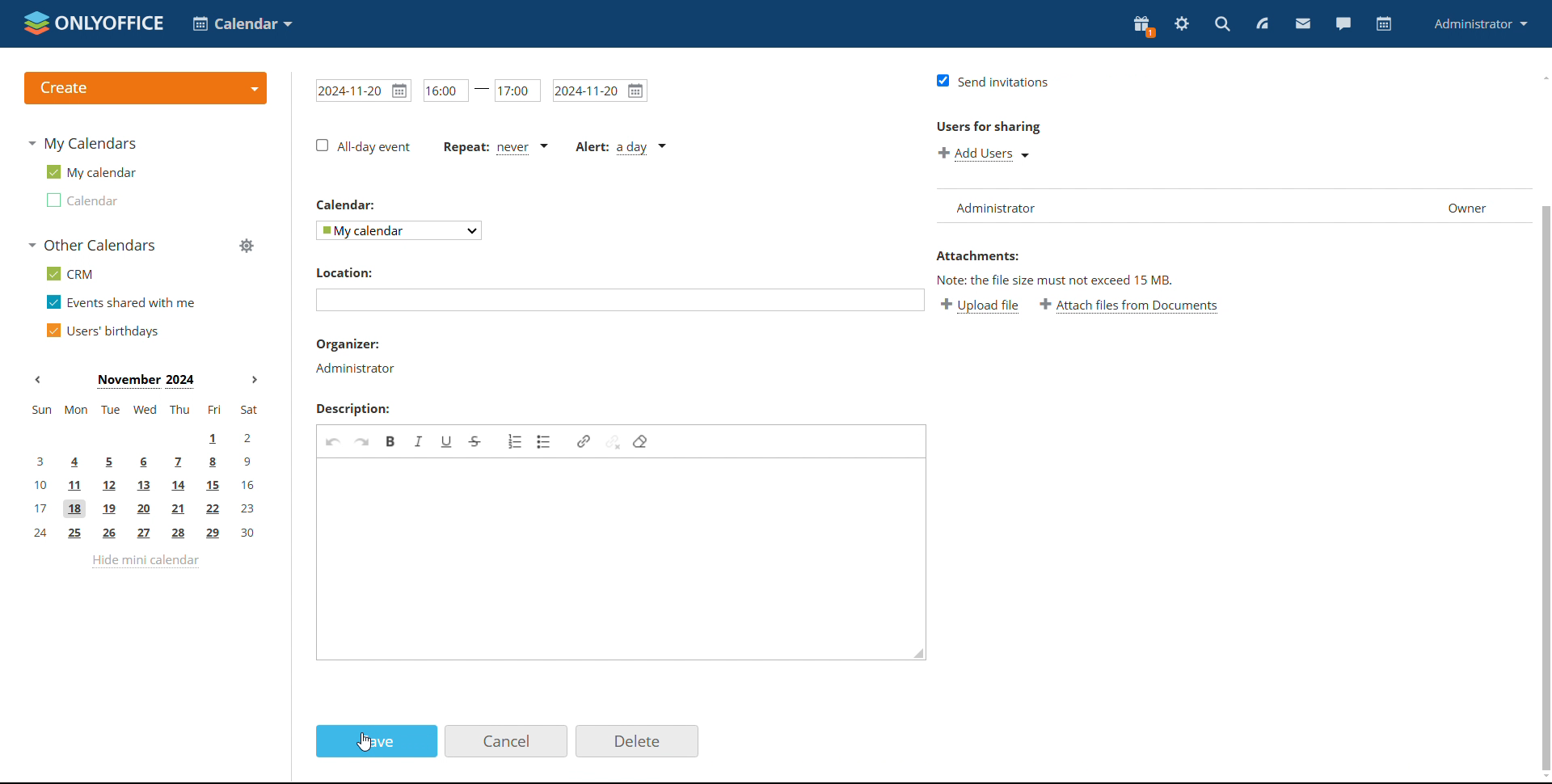  Describe the element at coordinates (102, 331) in the screenshot. I see `users' birthdays ` at that location.